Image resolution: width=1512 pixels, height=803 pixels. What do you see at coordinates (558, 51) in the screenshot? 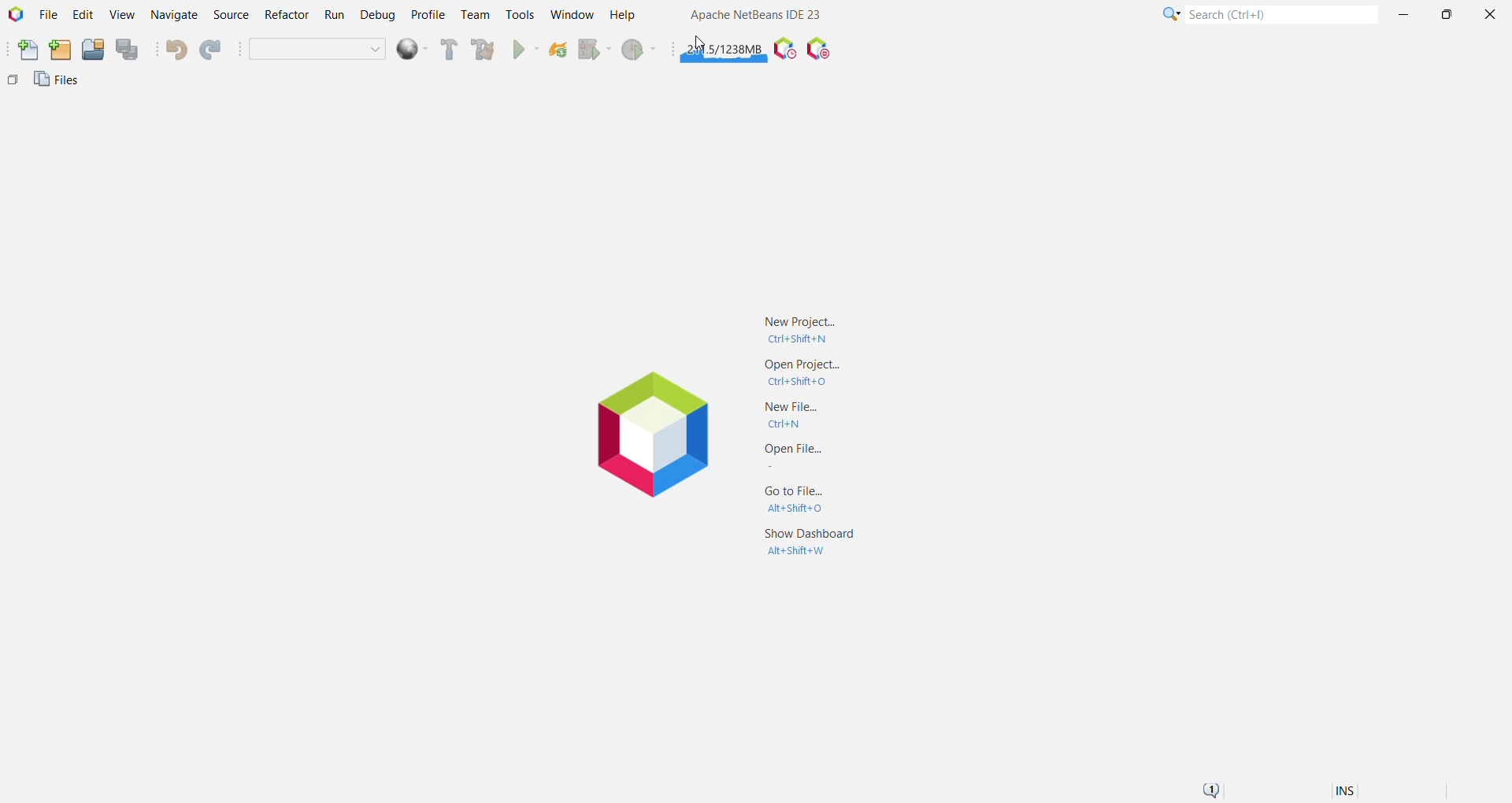
I see `Reload` at bounding box center [558, 51].